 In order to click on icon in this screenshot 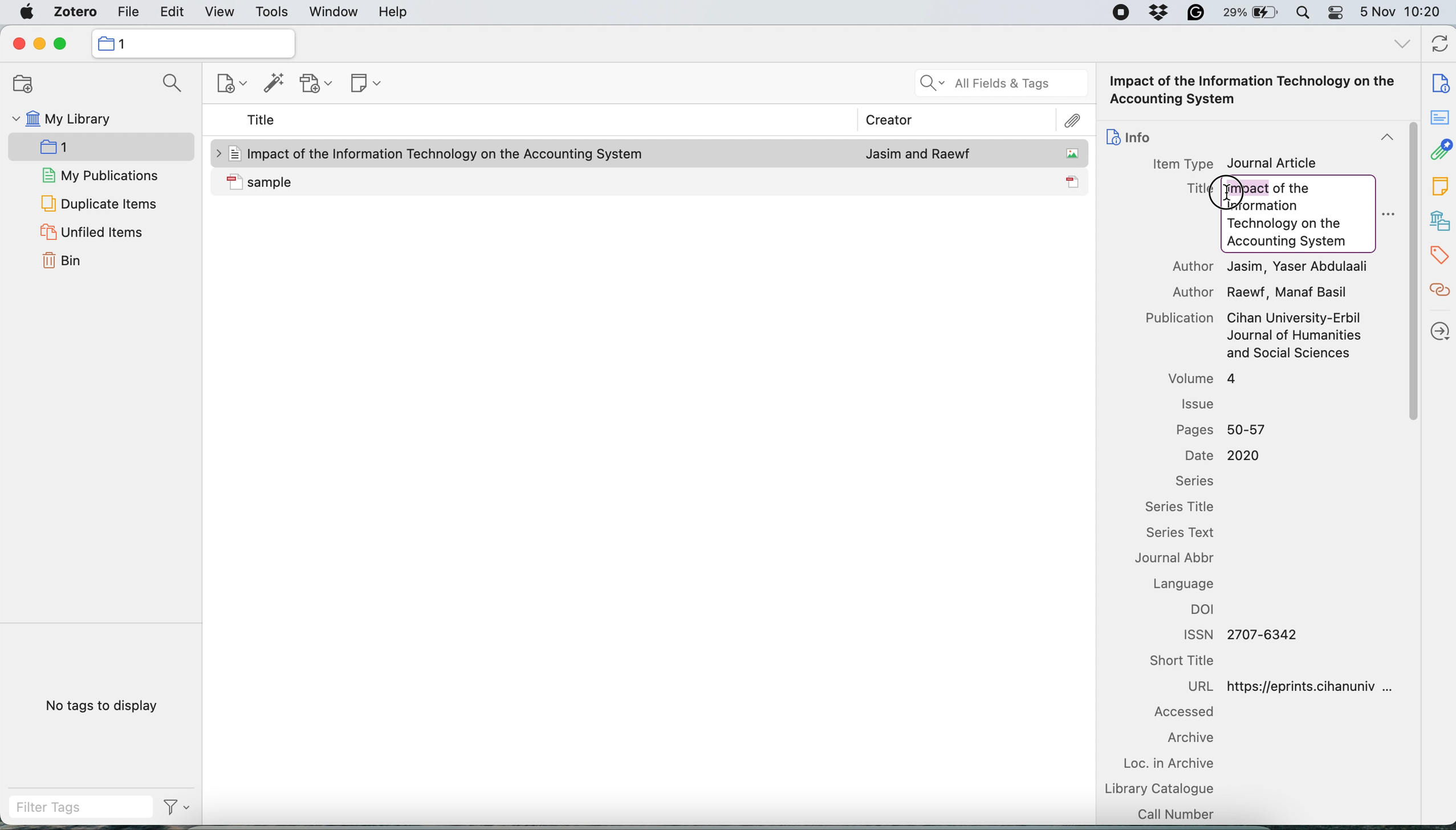, I will do `click(1113, 136)`.